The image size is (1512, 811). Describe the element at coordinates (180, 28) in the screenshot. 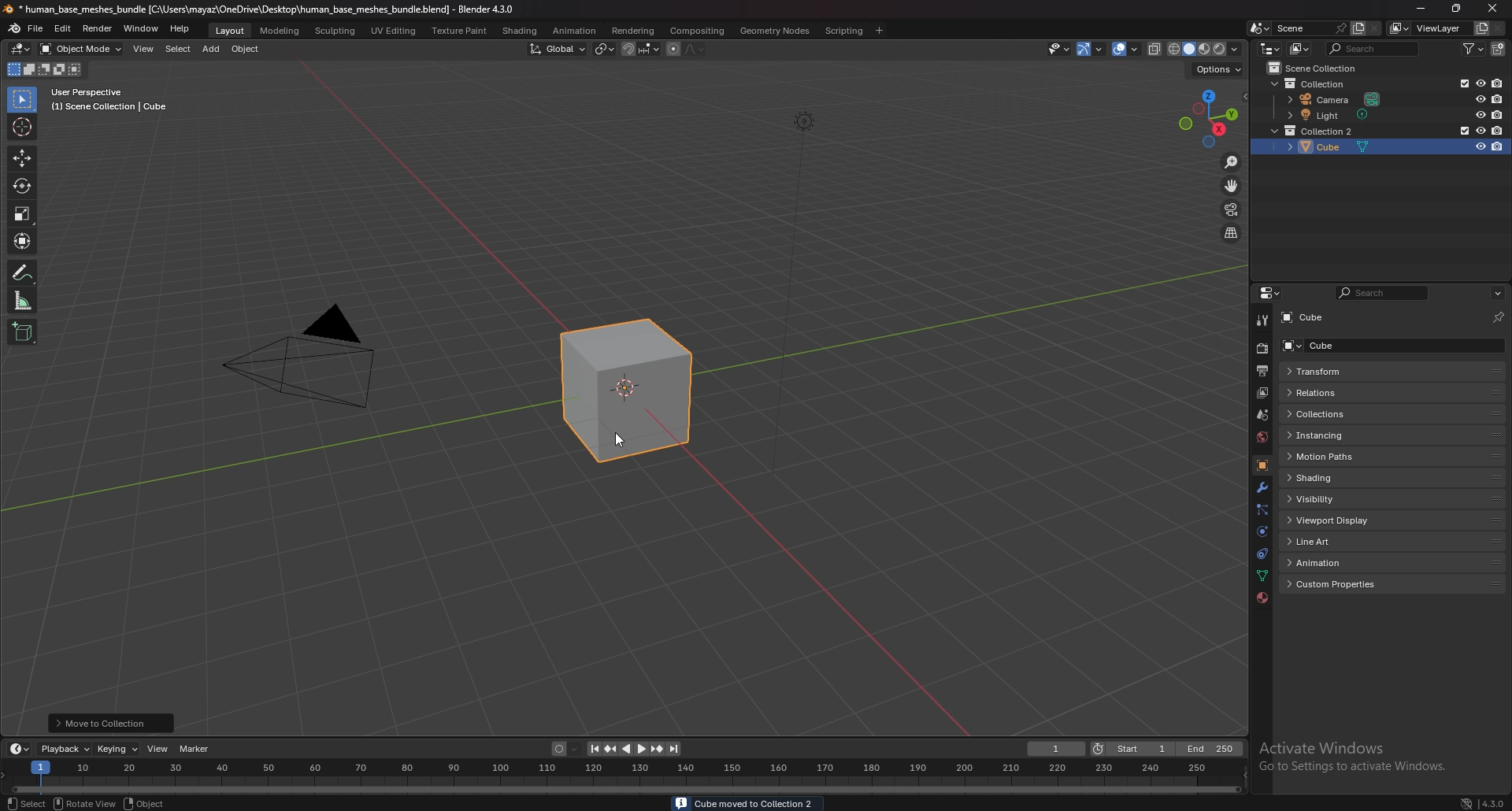

I see `help` at that location.